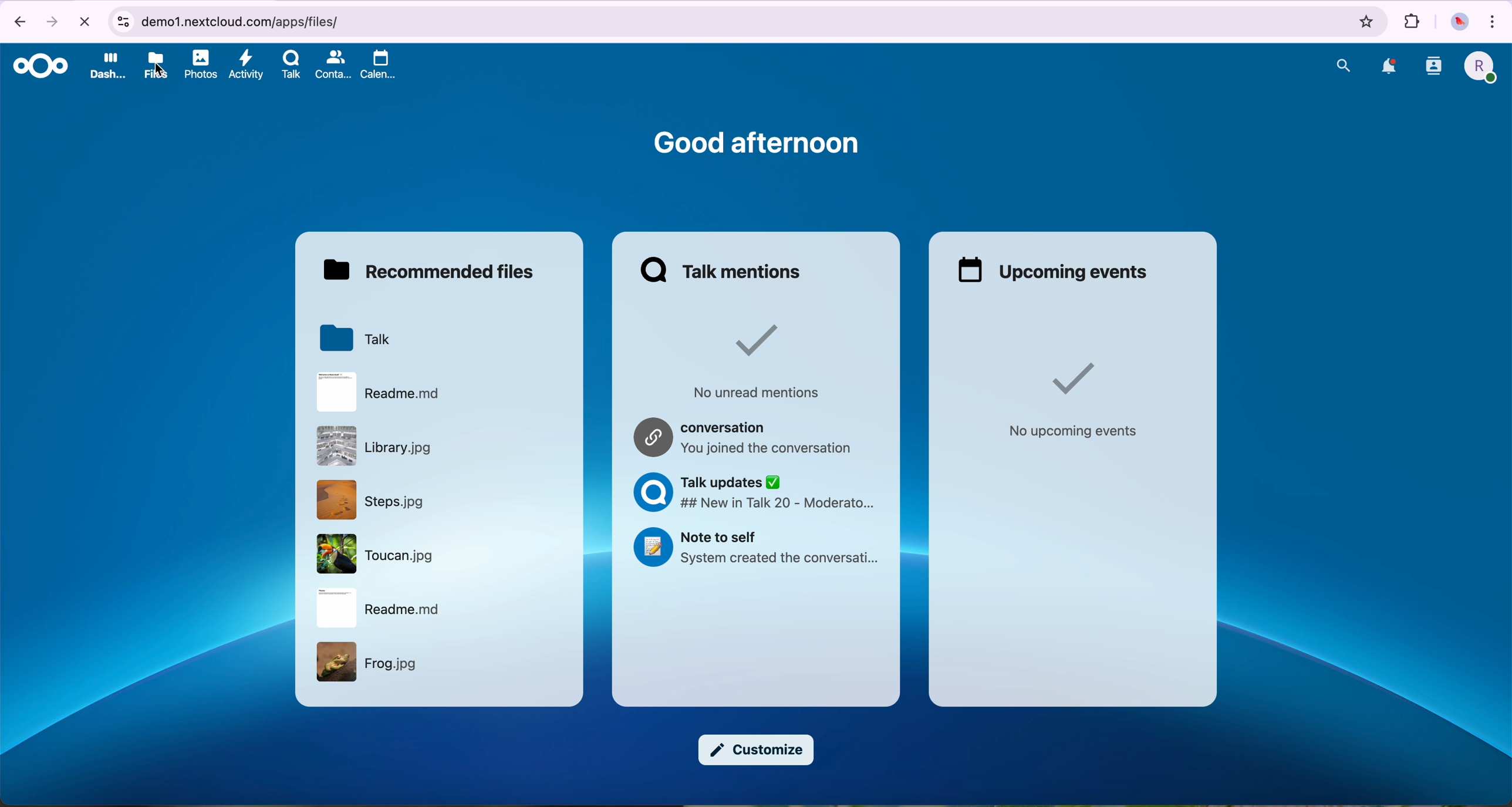 The height and width of the screenshot is (807, 1512). I want to click on photos, so click(201, 66).